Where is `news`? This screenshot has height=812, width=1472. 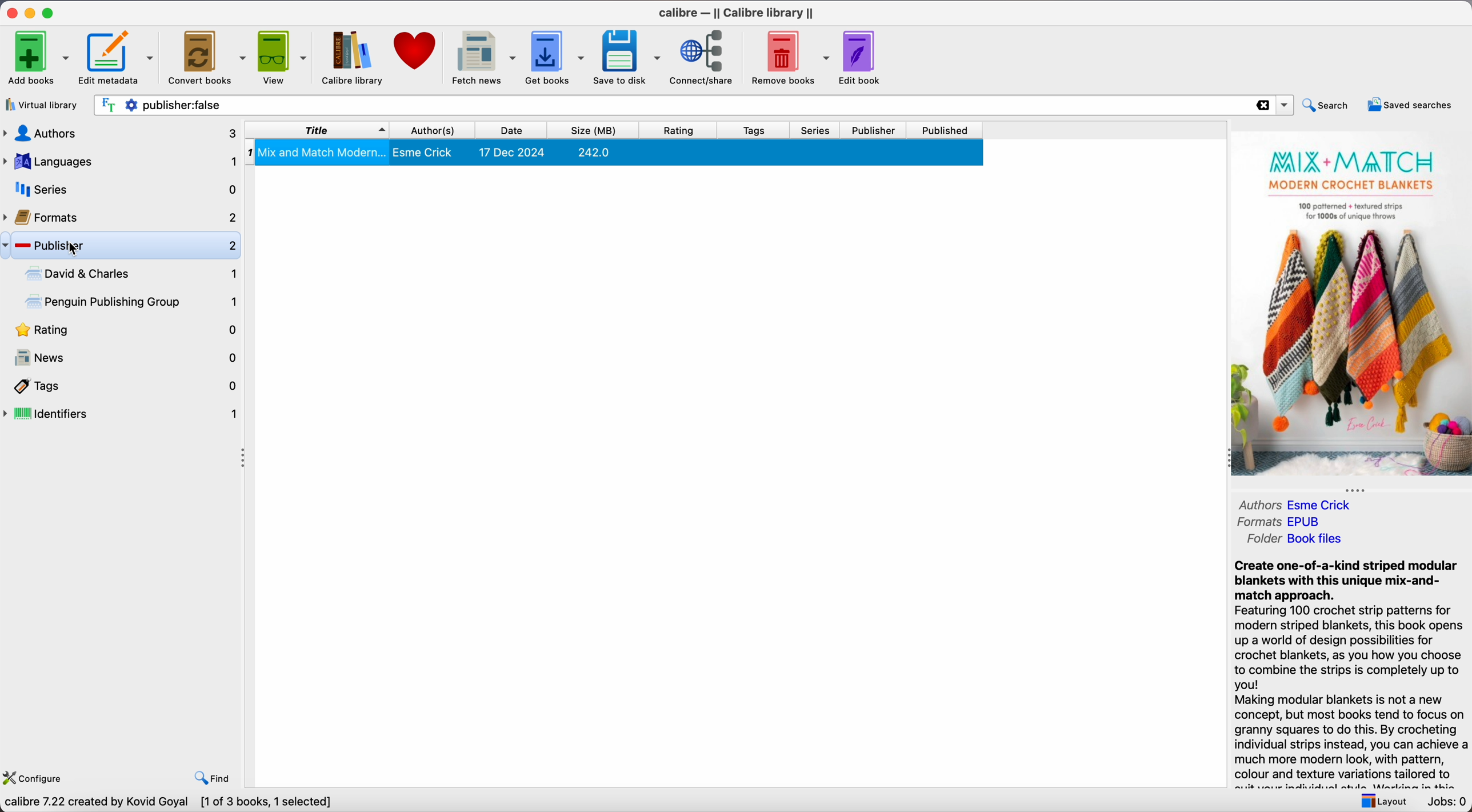 news is located at coordinates (122, 358).